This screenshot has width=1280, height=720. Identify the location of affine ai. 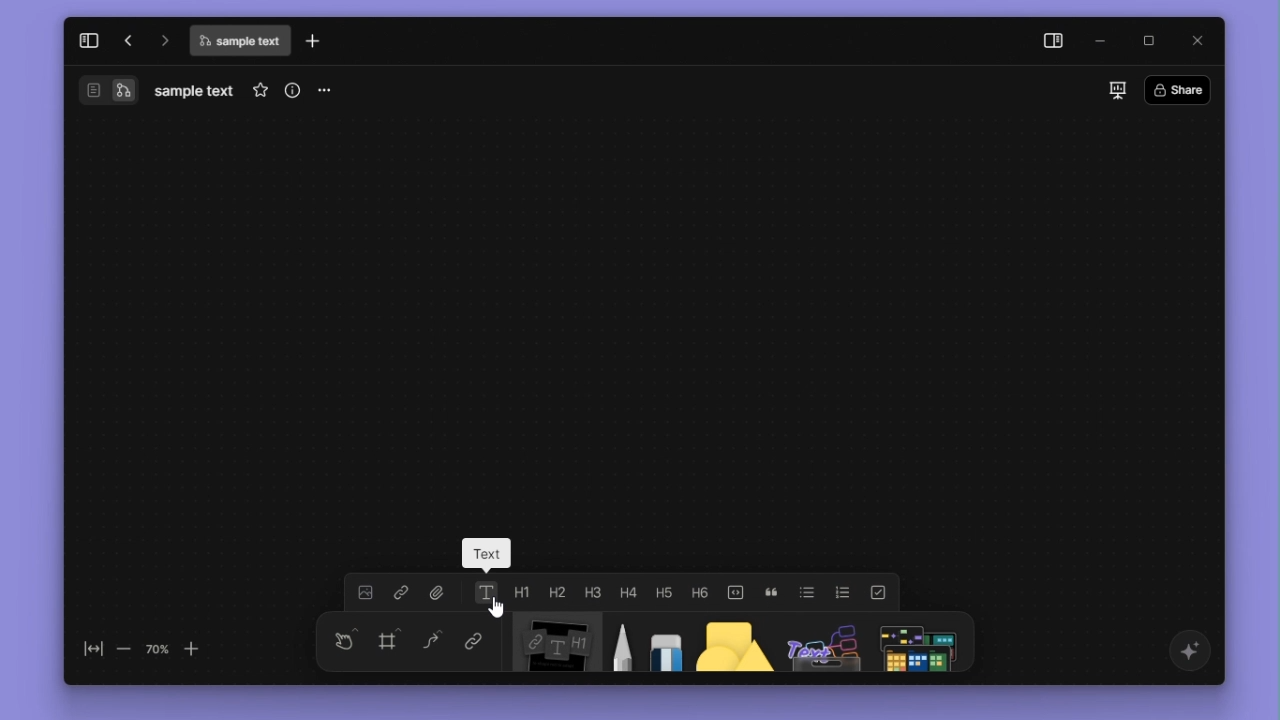
(1187, 651).